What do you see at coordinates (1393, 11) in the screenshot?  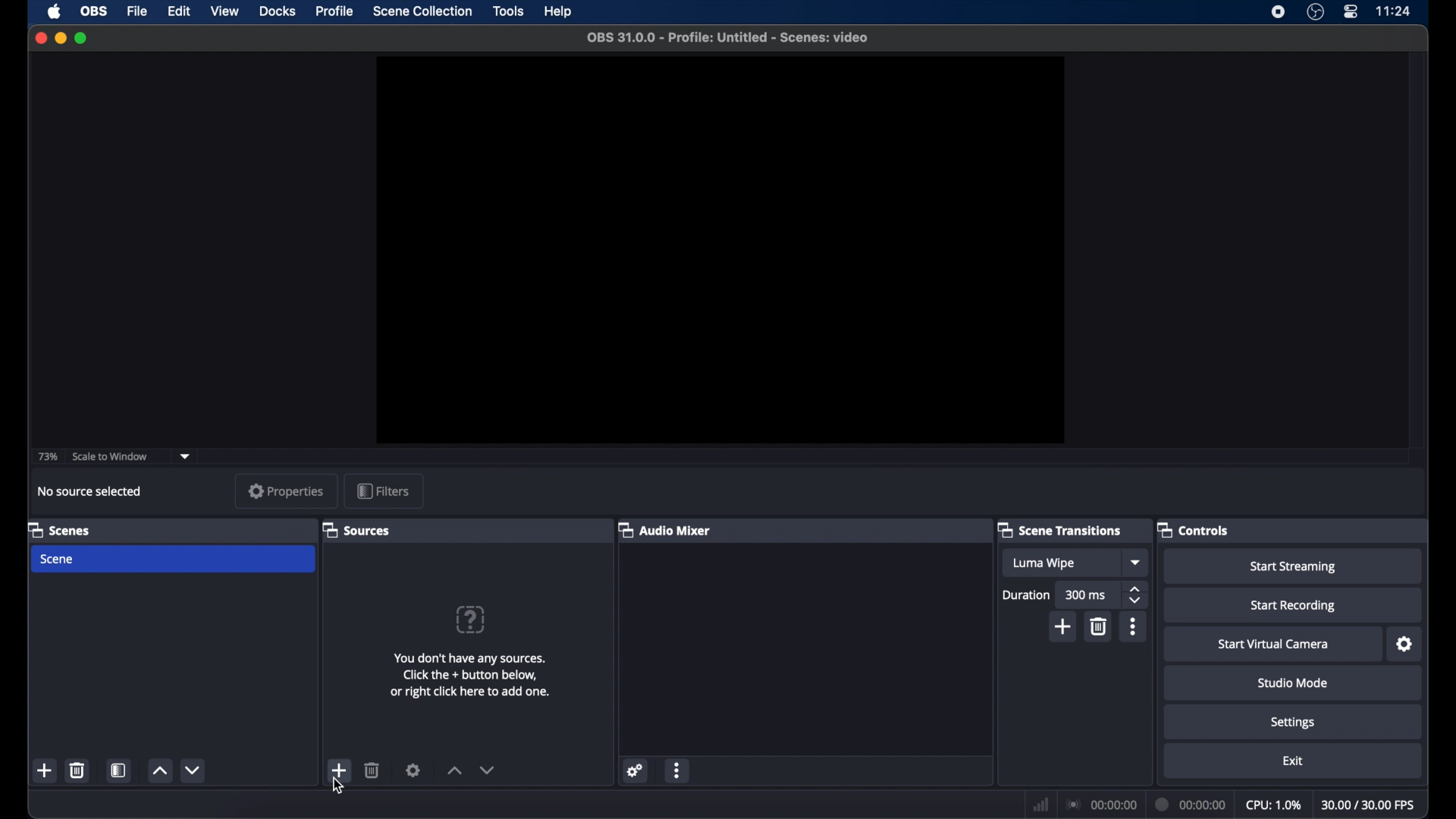 I see `time` at bounding box center [1393, 11].